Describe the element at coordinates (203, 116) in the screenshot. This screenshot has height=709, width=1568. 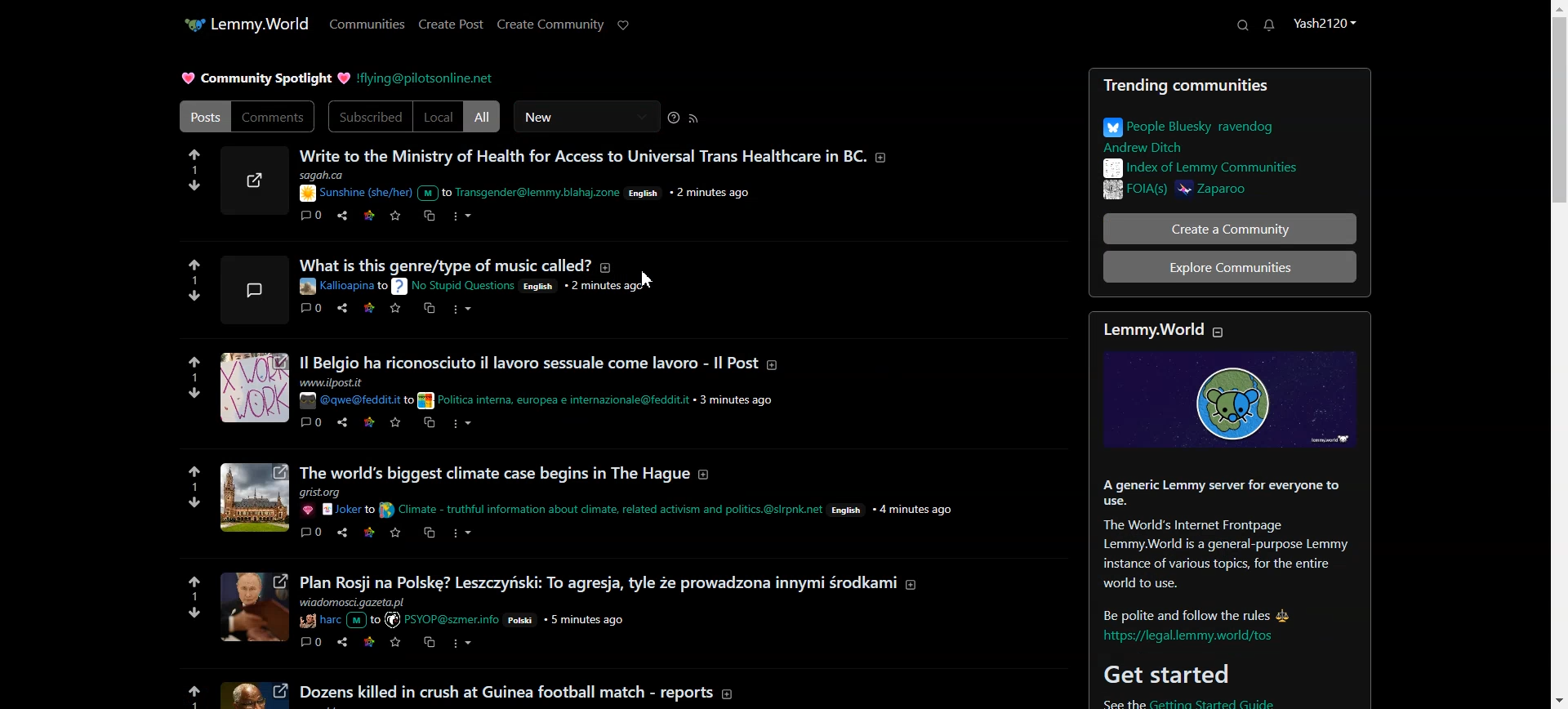
I see `Post` at that location.